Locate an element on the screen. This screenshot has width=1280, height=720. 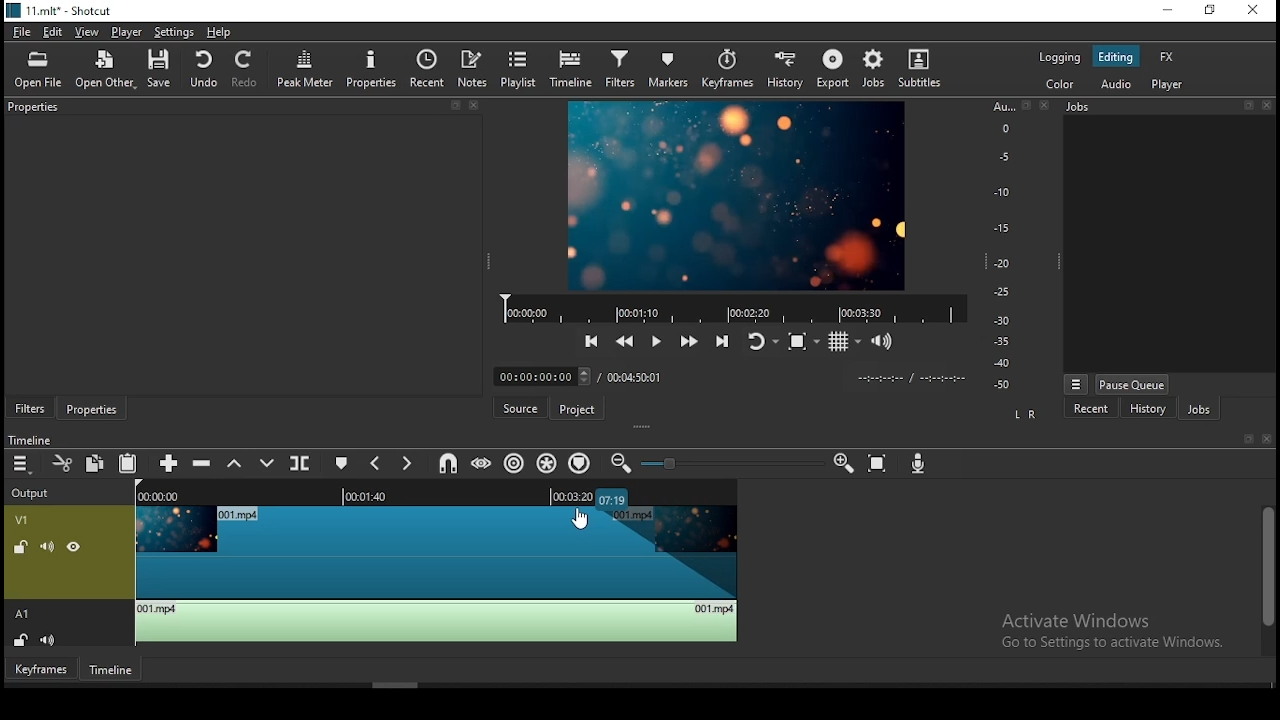
keyframes is located at coordinates (42, 672).